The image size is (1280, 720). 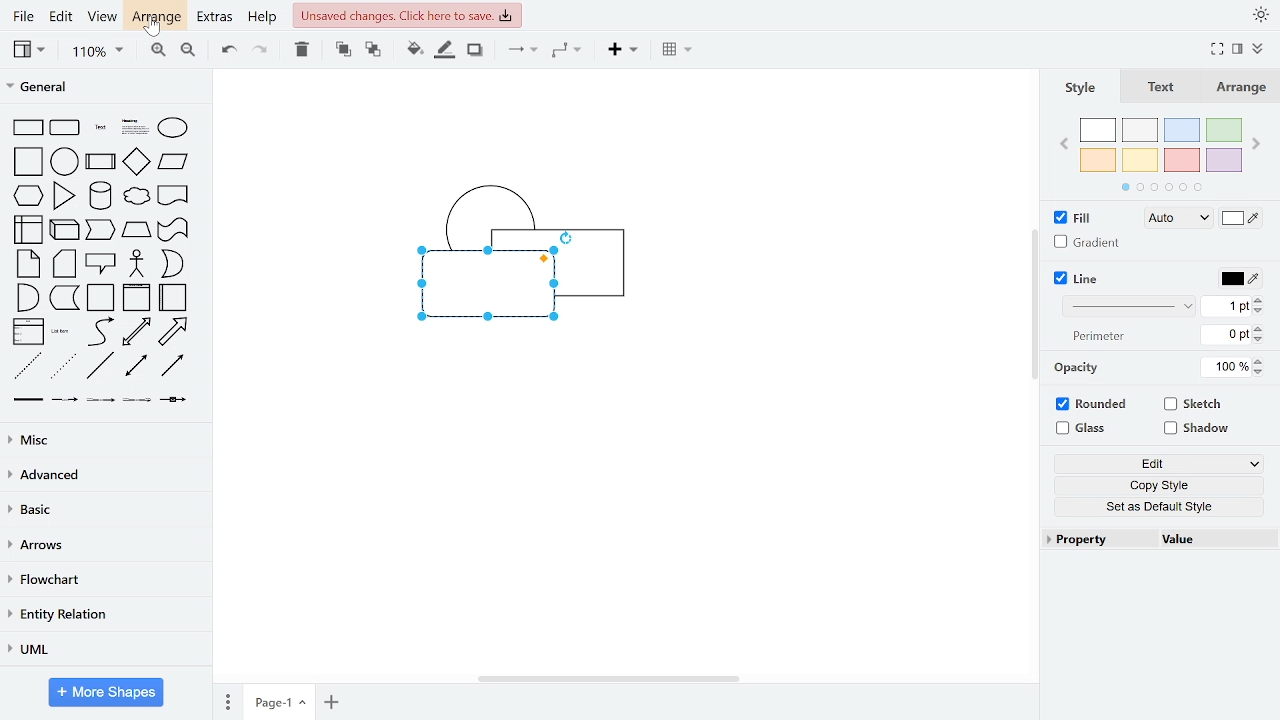 I want to click on diamond, so click(x=136, y=162).